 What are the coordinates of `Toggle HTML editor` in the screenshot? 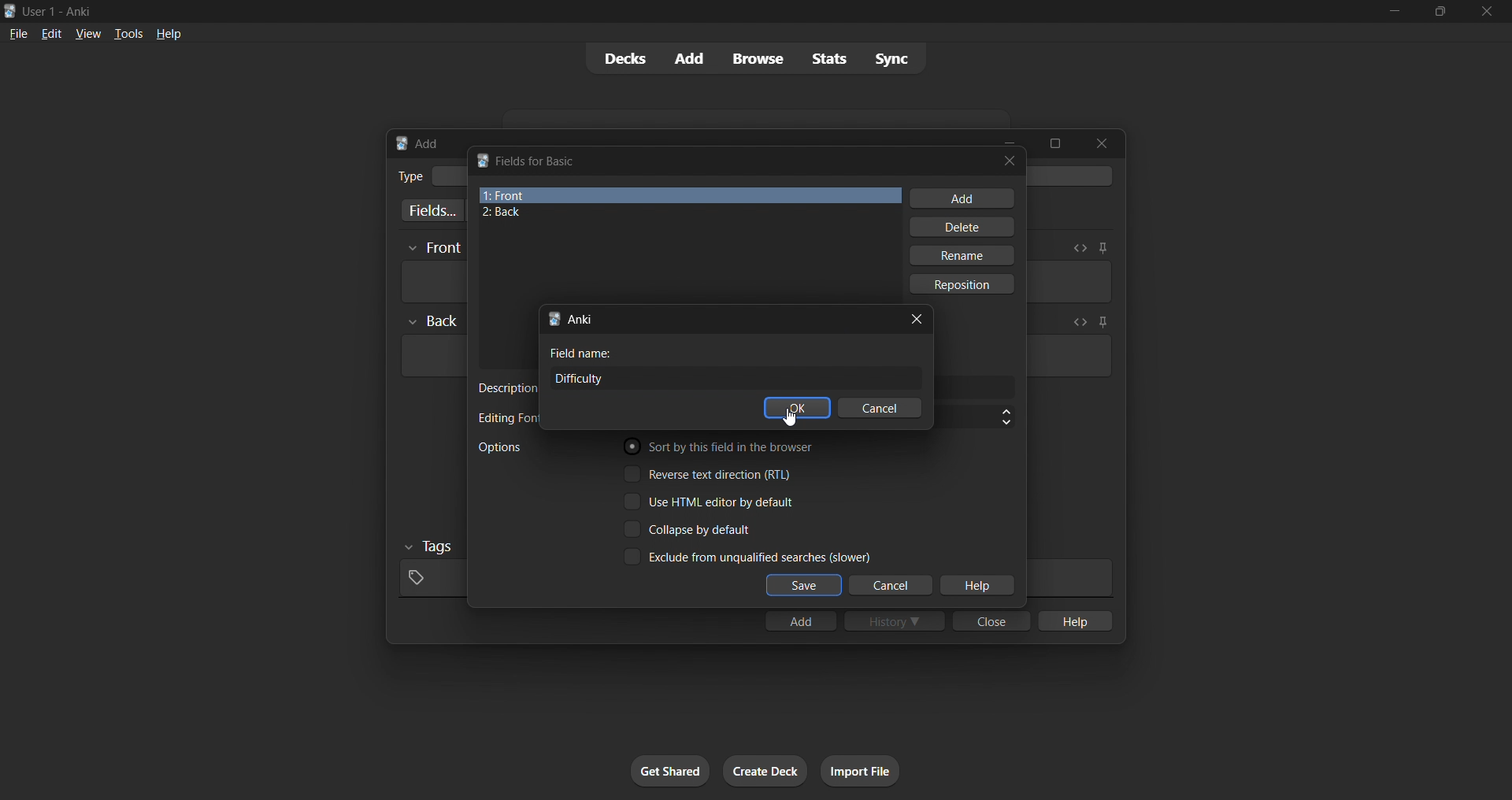 It's located at (1078, 322).